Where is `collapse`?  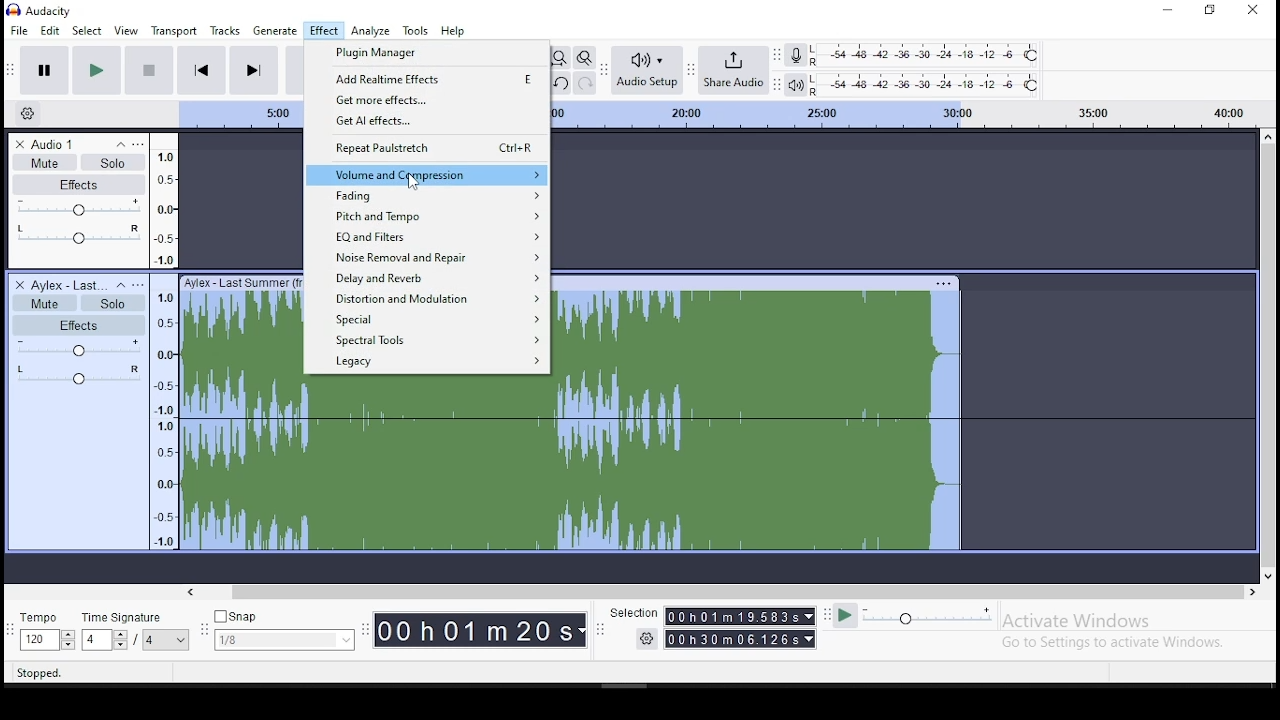 collapse is located at coordinates (120, 142).